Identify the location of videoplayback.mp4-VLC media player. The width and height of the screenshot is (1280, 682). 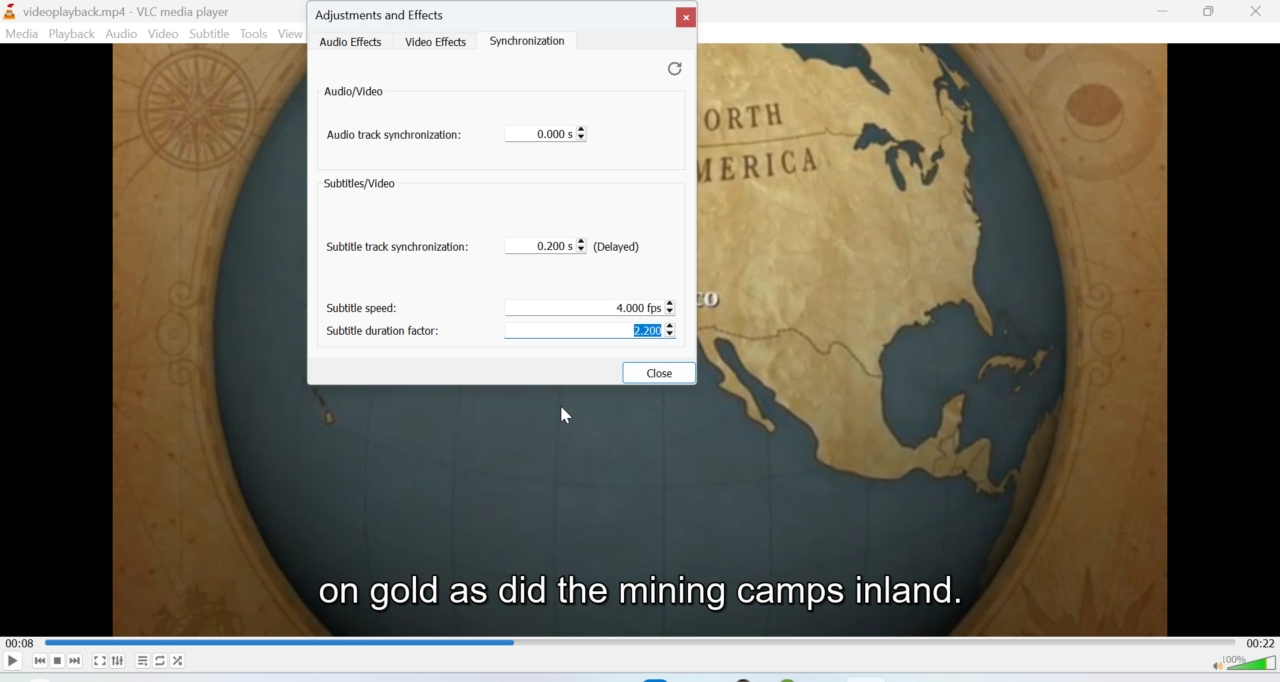
(120, 12).